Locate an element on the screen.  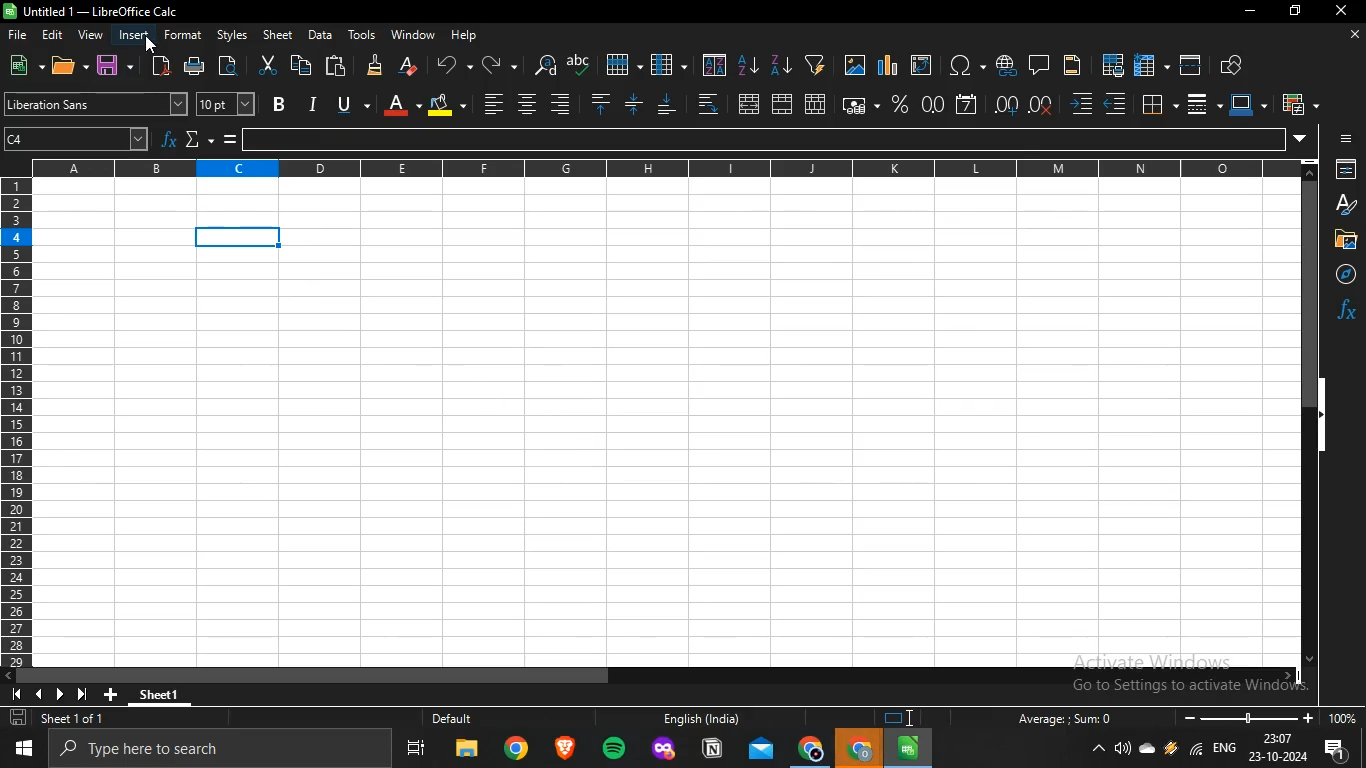
center vertically is located at coordinates (633, 103).